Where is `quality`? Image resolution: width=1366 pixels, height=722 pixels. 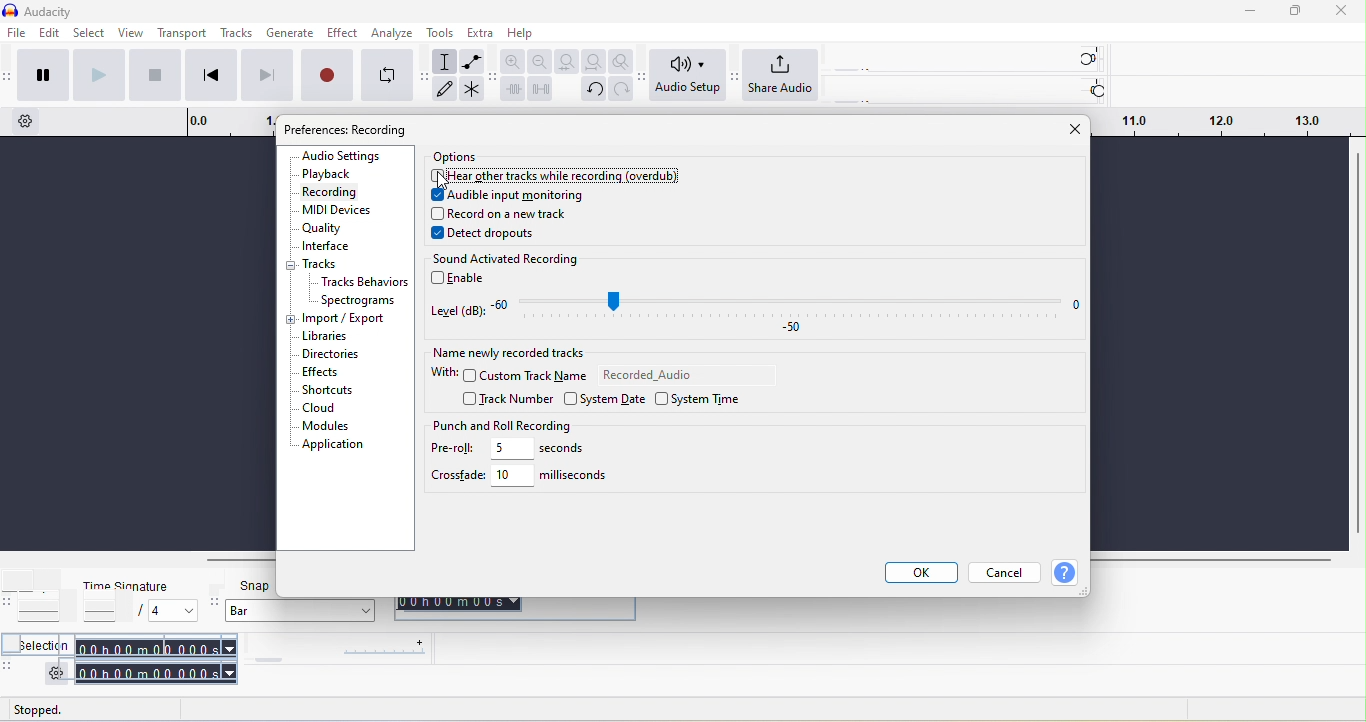
quality is located at coordinates (321, 228).